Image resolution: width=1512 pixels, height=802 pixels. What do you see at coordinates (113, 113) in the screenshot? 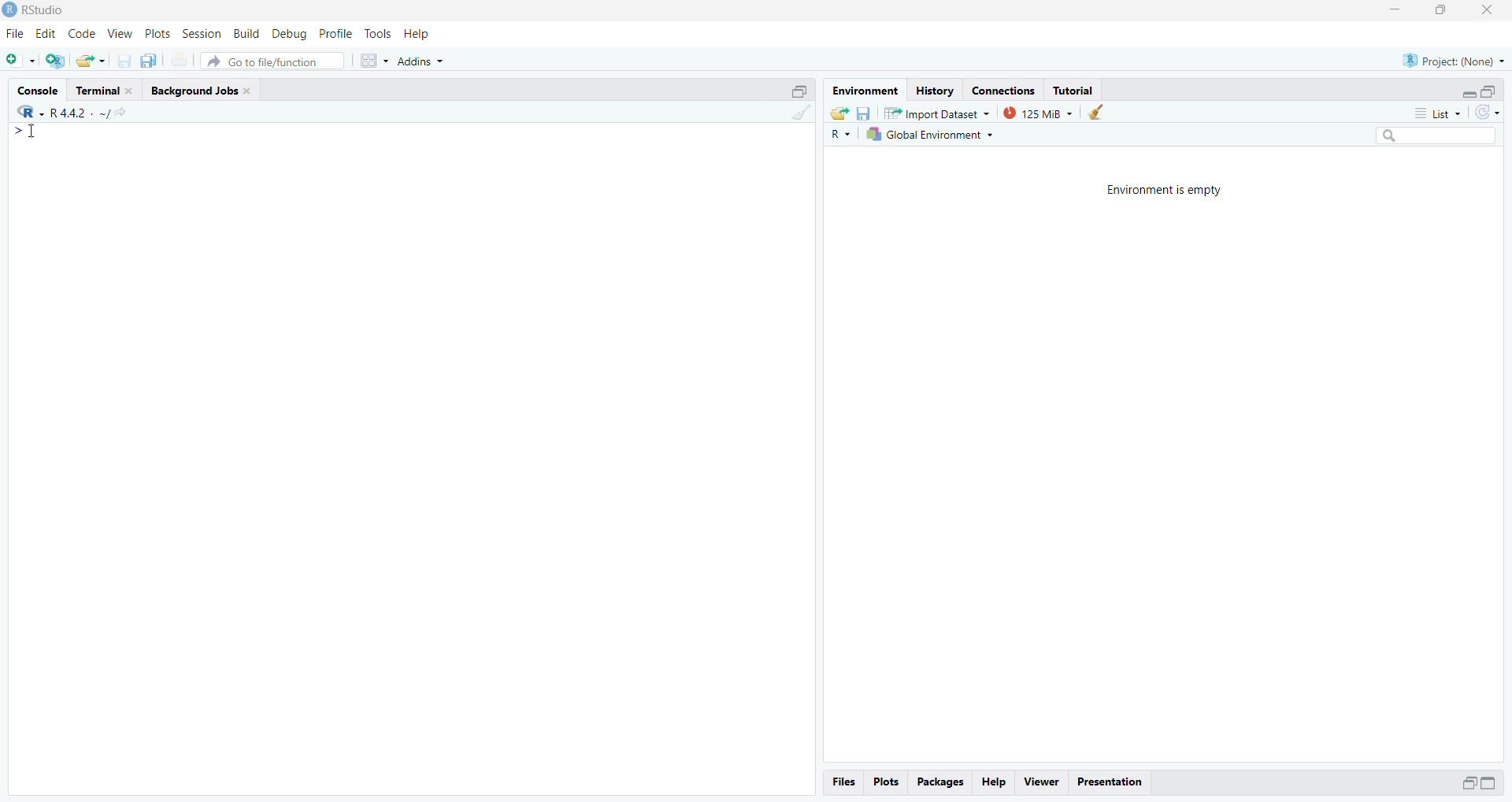
I see `view current directory` at bounding box center [113, 113].